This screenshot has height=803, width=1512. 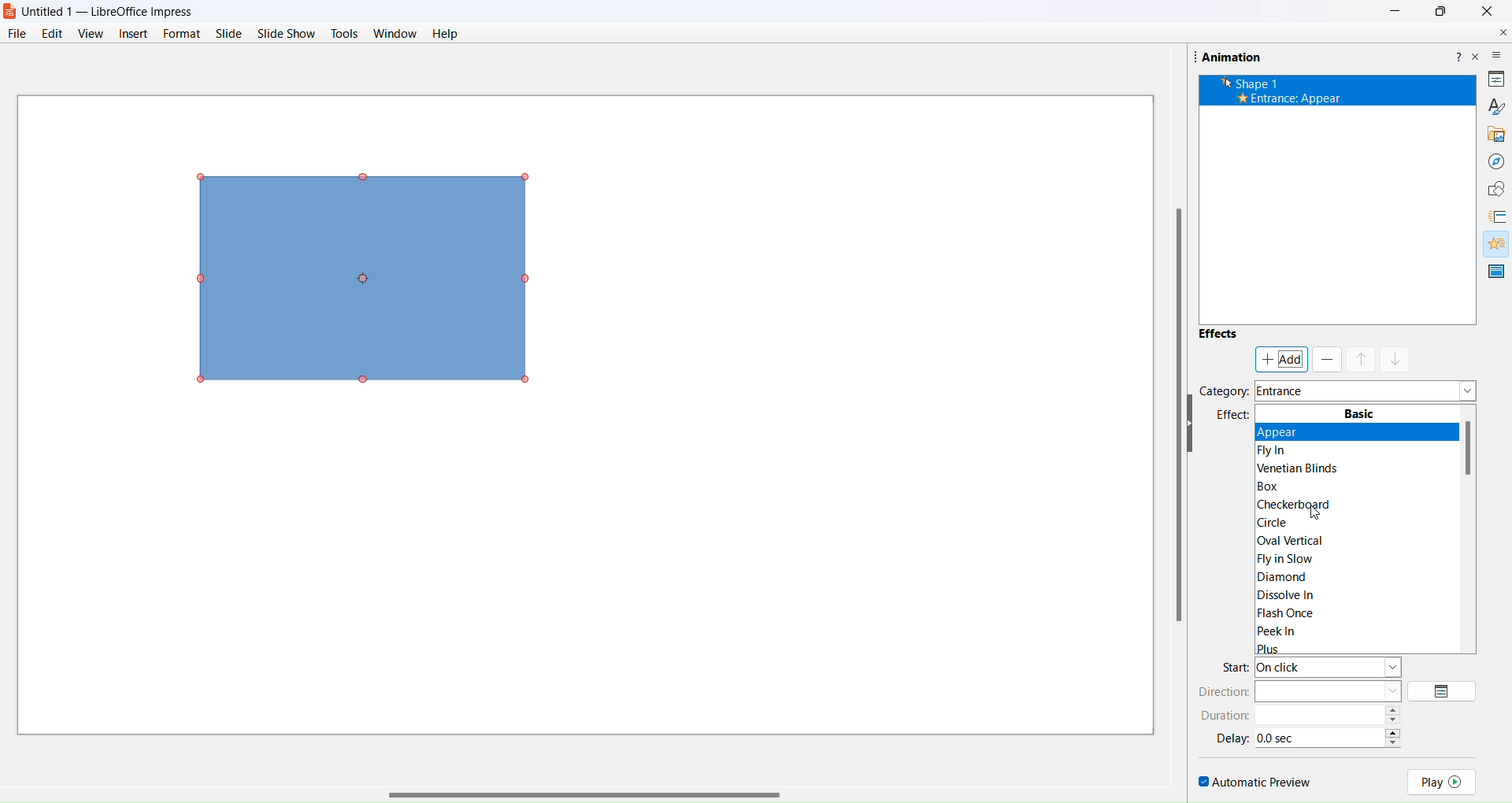 I want to click on direction, so click(x=1221, y=692).